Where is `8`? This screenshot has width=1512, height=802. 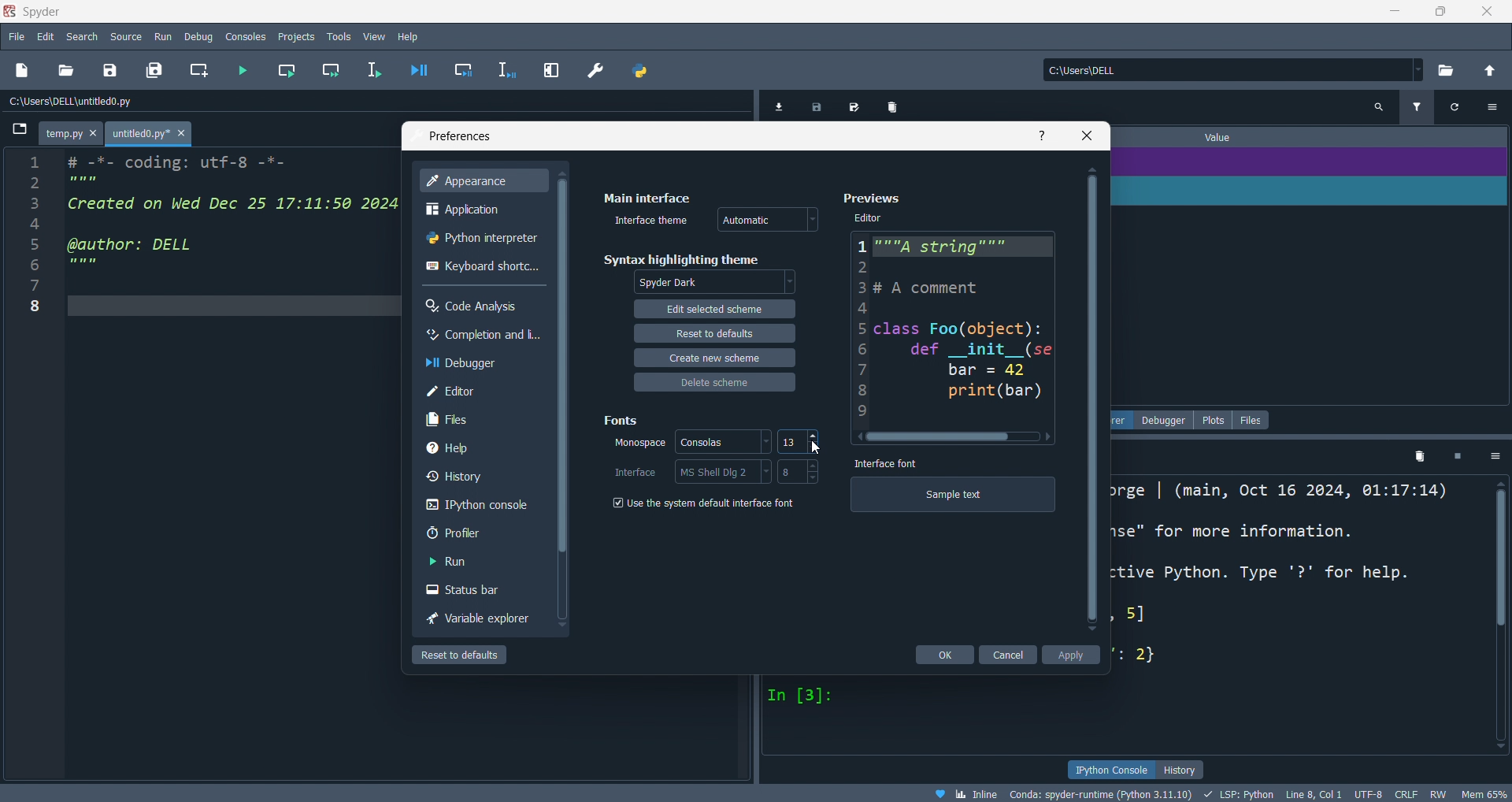
8 is located at coordinates (787, 470).